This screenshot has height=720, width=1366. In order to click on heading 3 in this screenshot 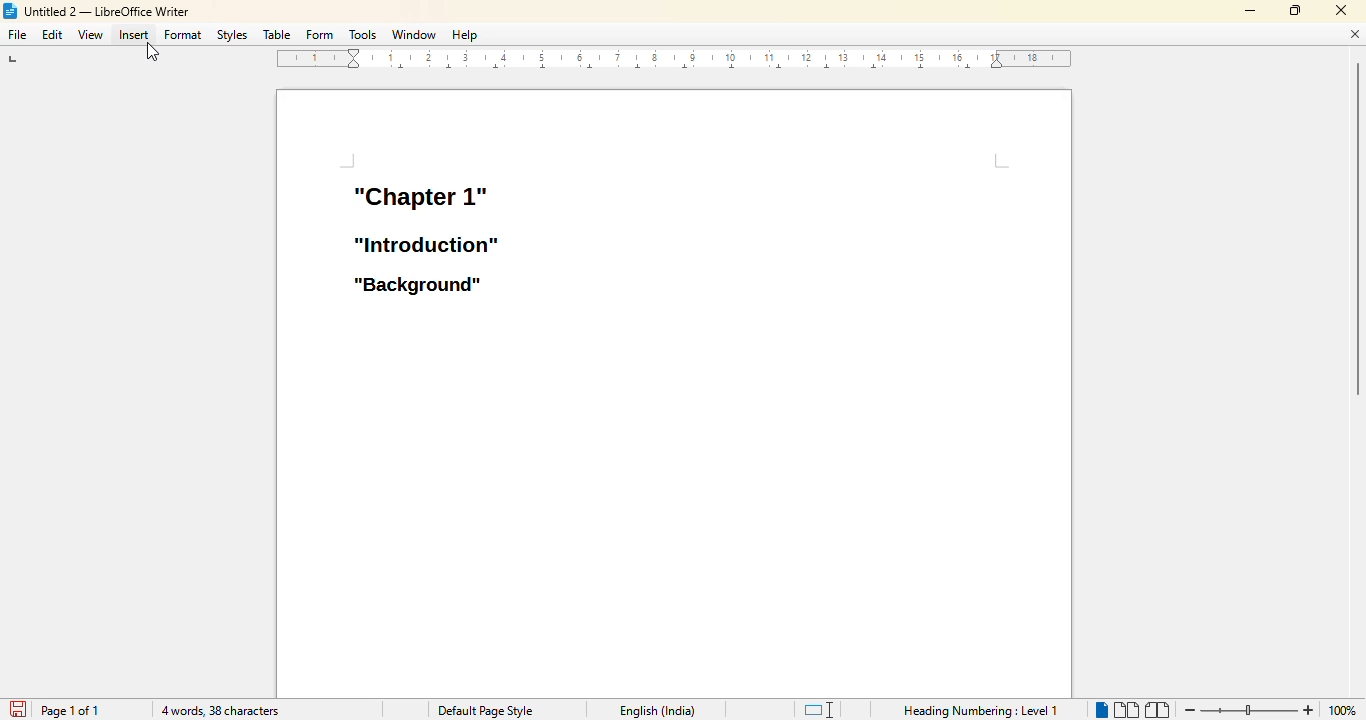, I will do `click(417, 286)`.